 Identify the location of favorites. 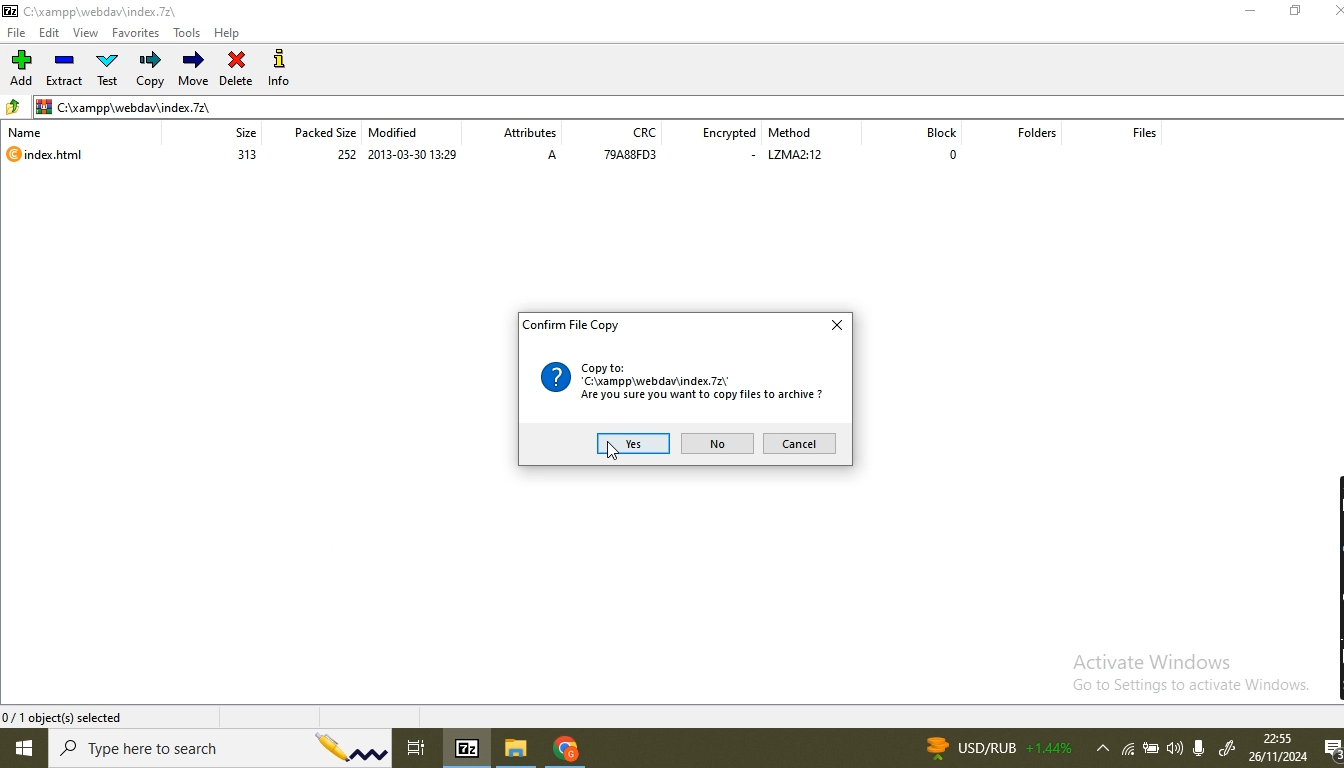
(137, 33).